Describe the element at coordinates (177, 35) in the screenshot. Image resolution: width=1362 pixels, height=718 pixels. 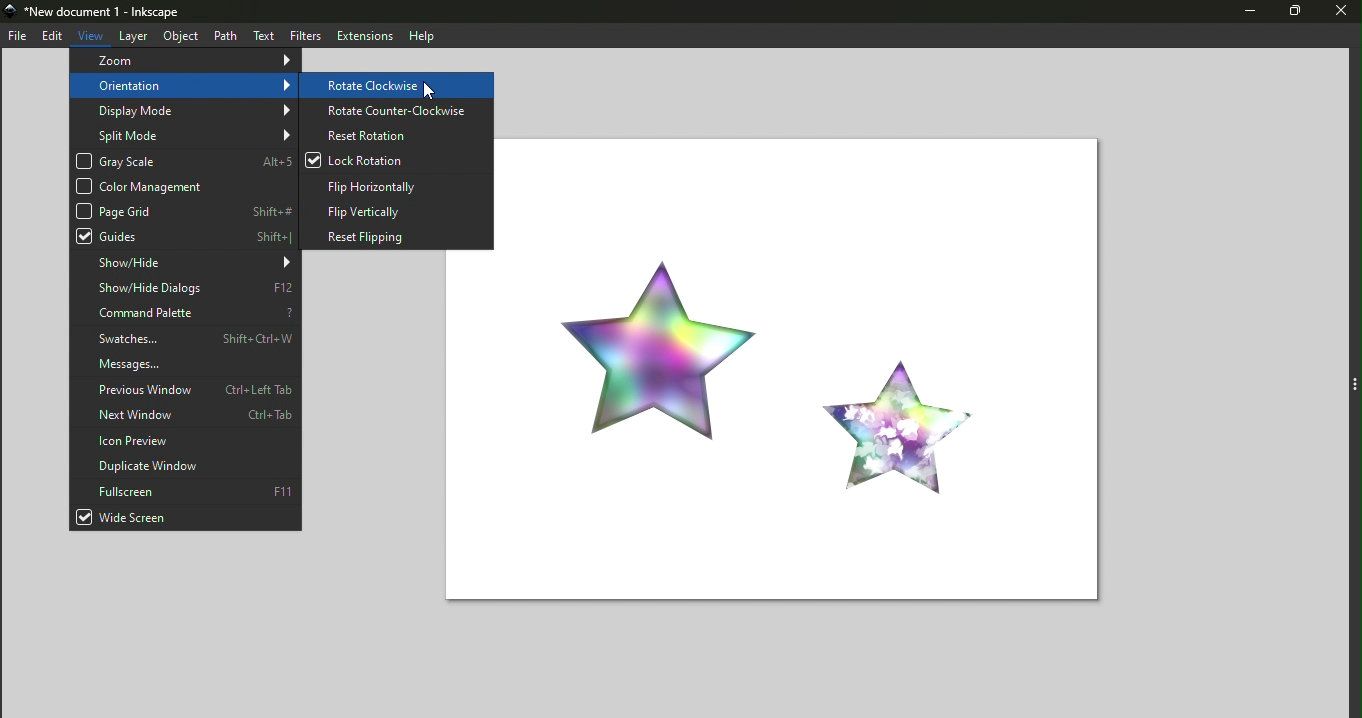
I see `Object` at that location.